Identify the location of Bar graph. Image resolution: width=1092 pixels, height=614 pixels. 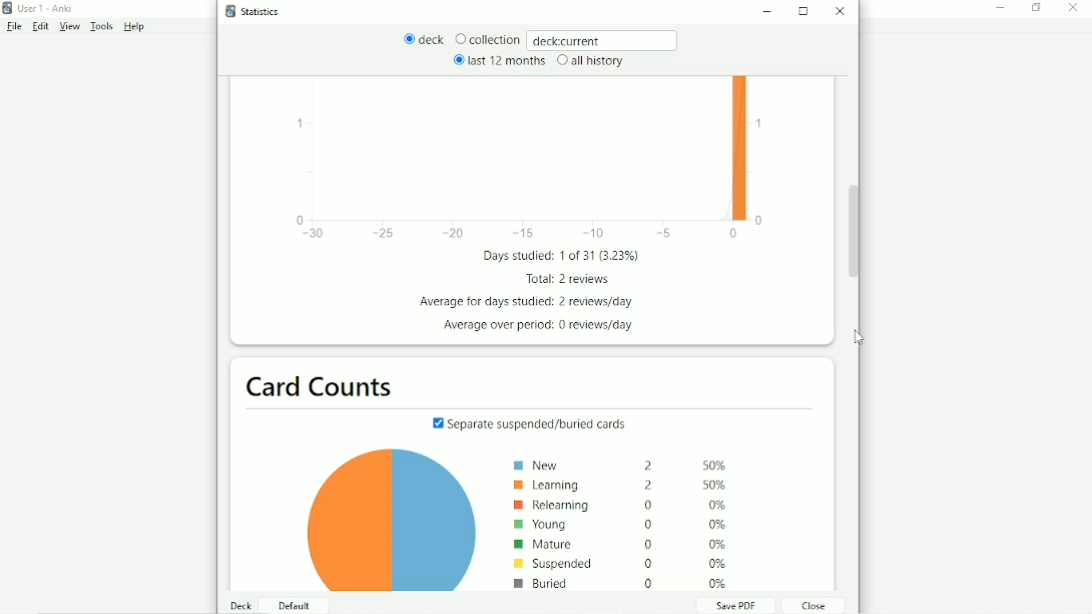
(530, 161).